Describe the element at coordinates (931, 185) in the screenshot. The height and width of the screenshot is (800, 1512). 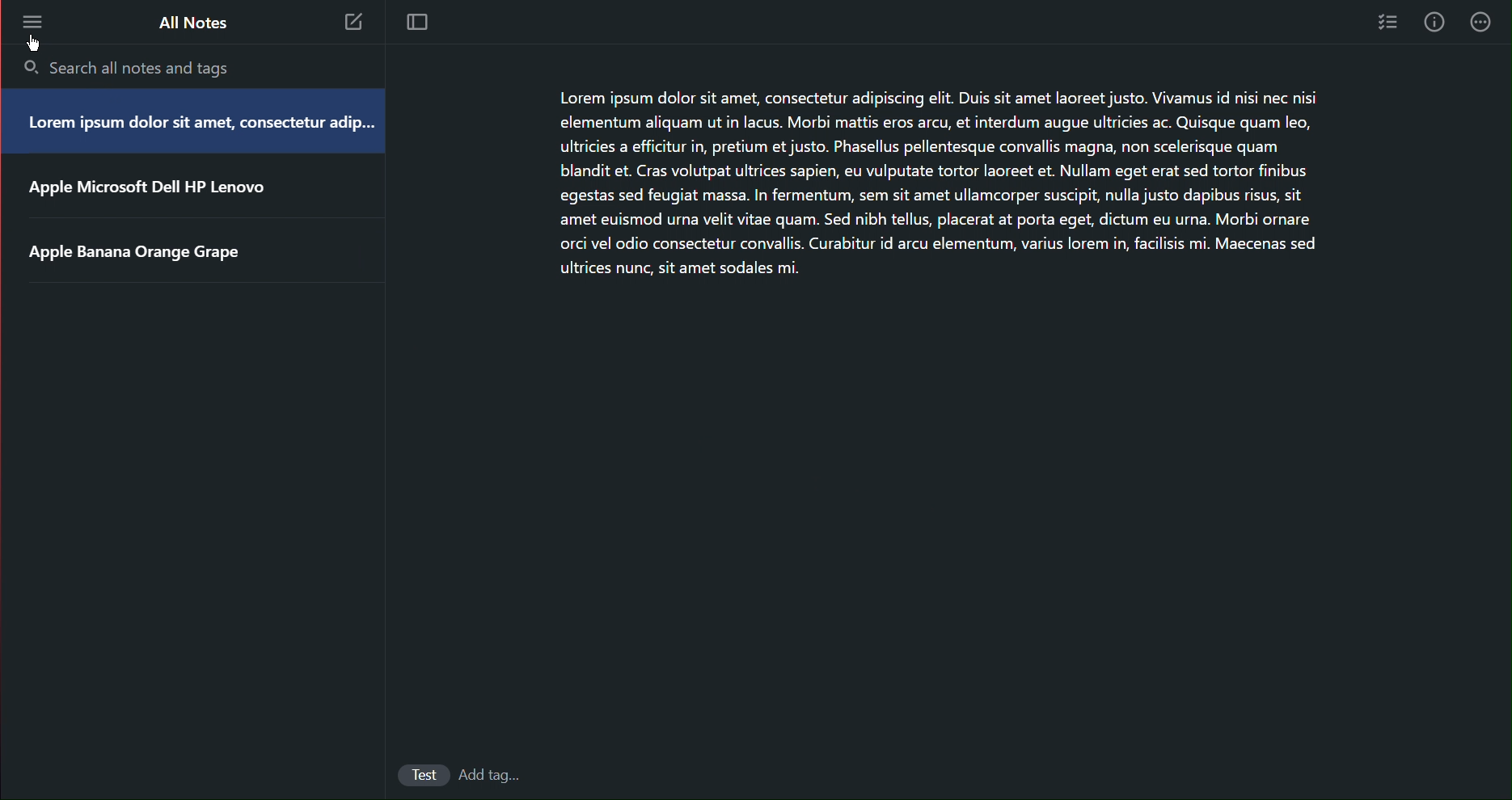
I see `Lorem ipsum dolor sit amet, consectetur adipiscing elit. Duis sit amet laoreet justo. Vivamus id nisi nec nisi
elementum aliquam ut in lacus. Morbi mattis eros arcu, et interdum augue ultricies ac. Quisque quam leo,
ultricies a efficitur in, pretium et justo. Phasellus pellentesque convallis magna, non scelerisque quam
blandit et. Cras volutpat ultrices sapien, eu vulputate tortor laoreet et. Nullam eget erat sed tortor finibus
egestas sed feugiat massa. In fermentum, sem sit amet ullamcorper suscipit, nulla justo dapibus risus, sit
amet euismod urna velit vitae quam. Sed nibh tellus, placerat at porta eget, dictum eu urna. Morbi ornare
orci vel odio consectetur convallis. Curabitur id arcu elementum, varius lorem in, facilisis mi. Maecenas sed
ultrices nunc, sit amet sodales mi.` at that location.